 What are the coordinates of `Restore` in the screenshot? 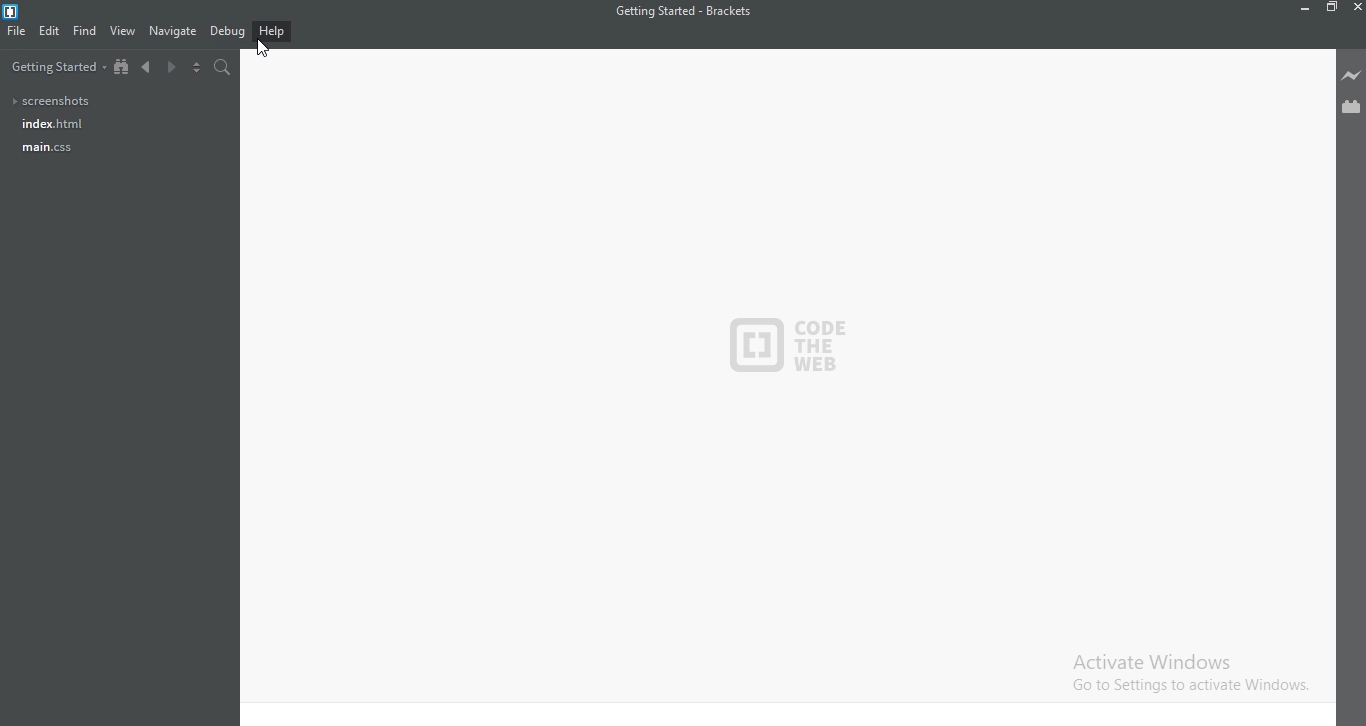 It's located at (1334, 10).